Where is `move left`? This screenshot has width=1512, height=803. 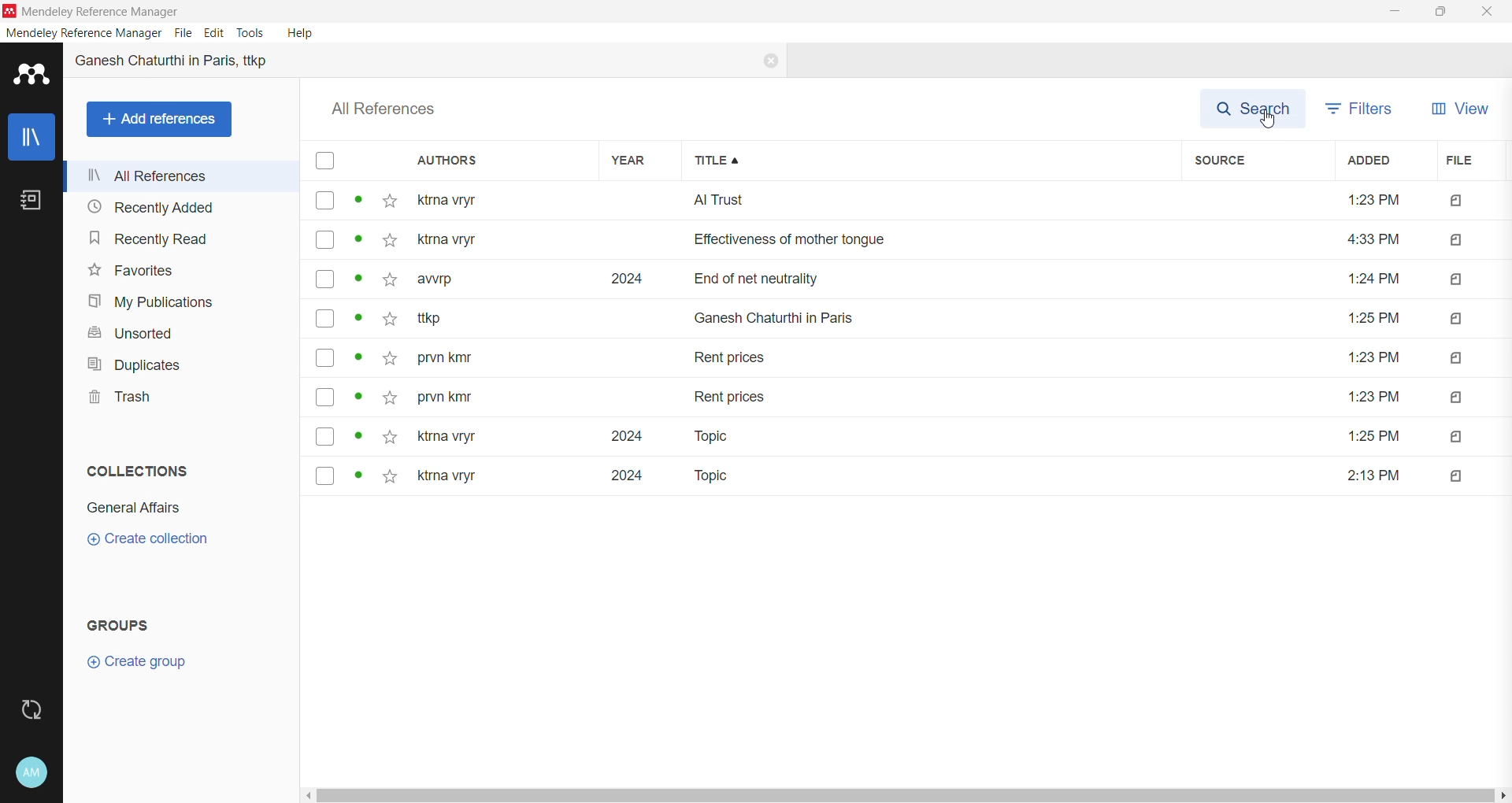
move left is located at coordinates (307, 796).